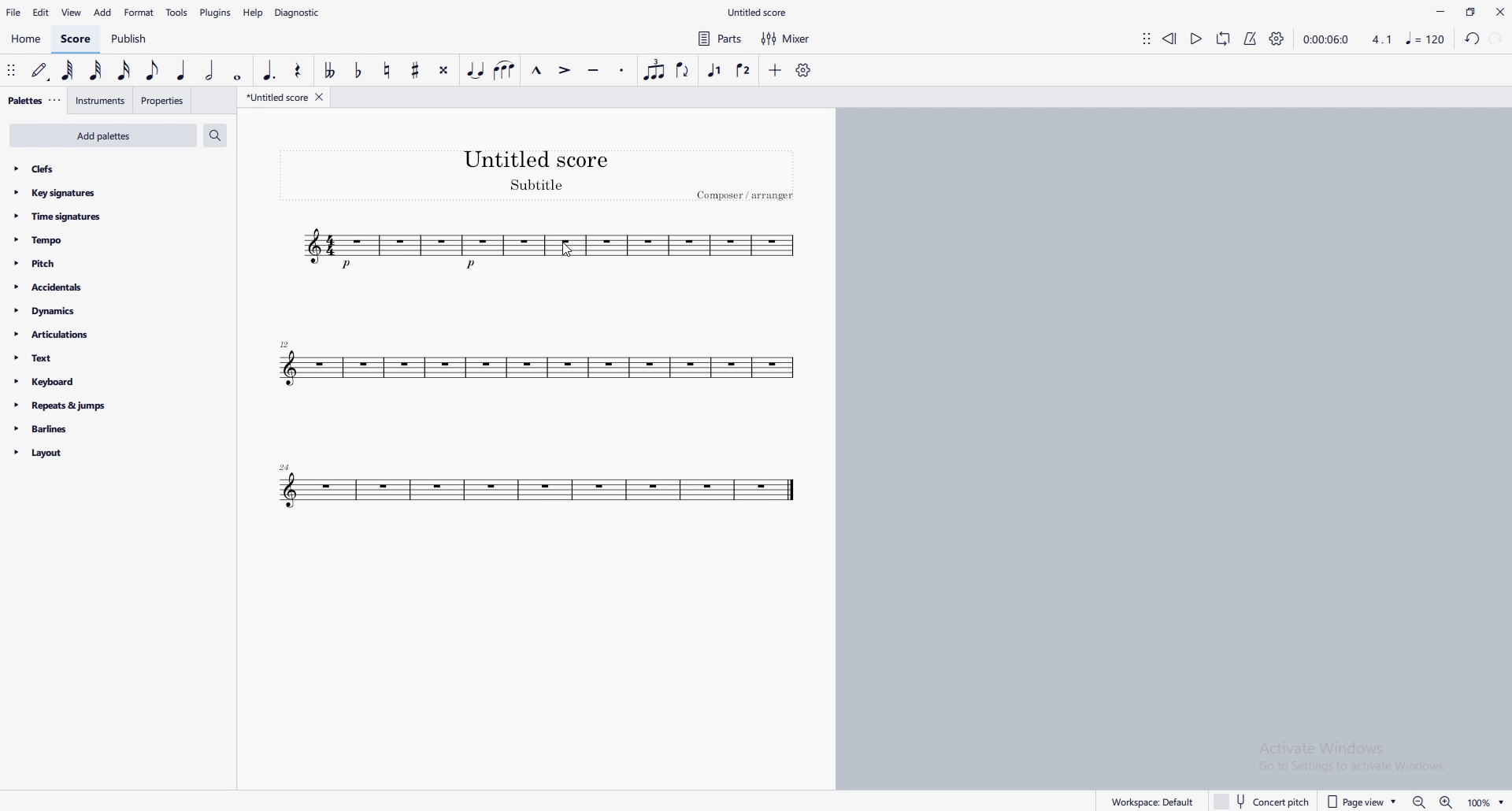 This screenshot has height=811, width=1512. I want to click on barlines, so click(98, 429).